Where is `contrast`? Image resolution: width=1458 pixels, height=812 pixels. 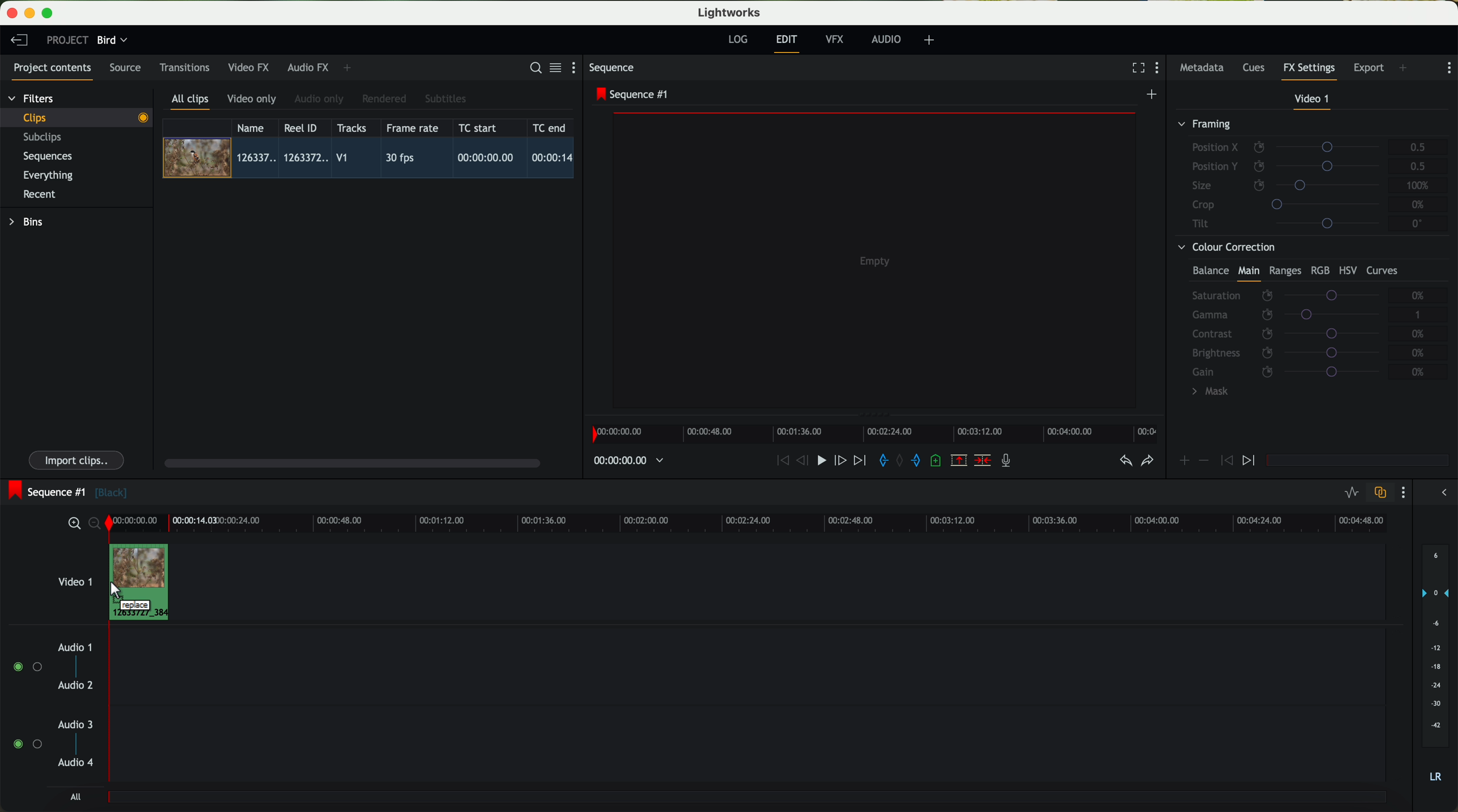
contrast is located at coordinates (1293, 334).